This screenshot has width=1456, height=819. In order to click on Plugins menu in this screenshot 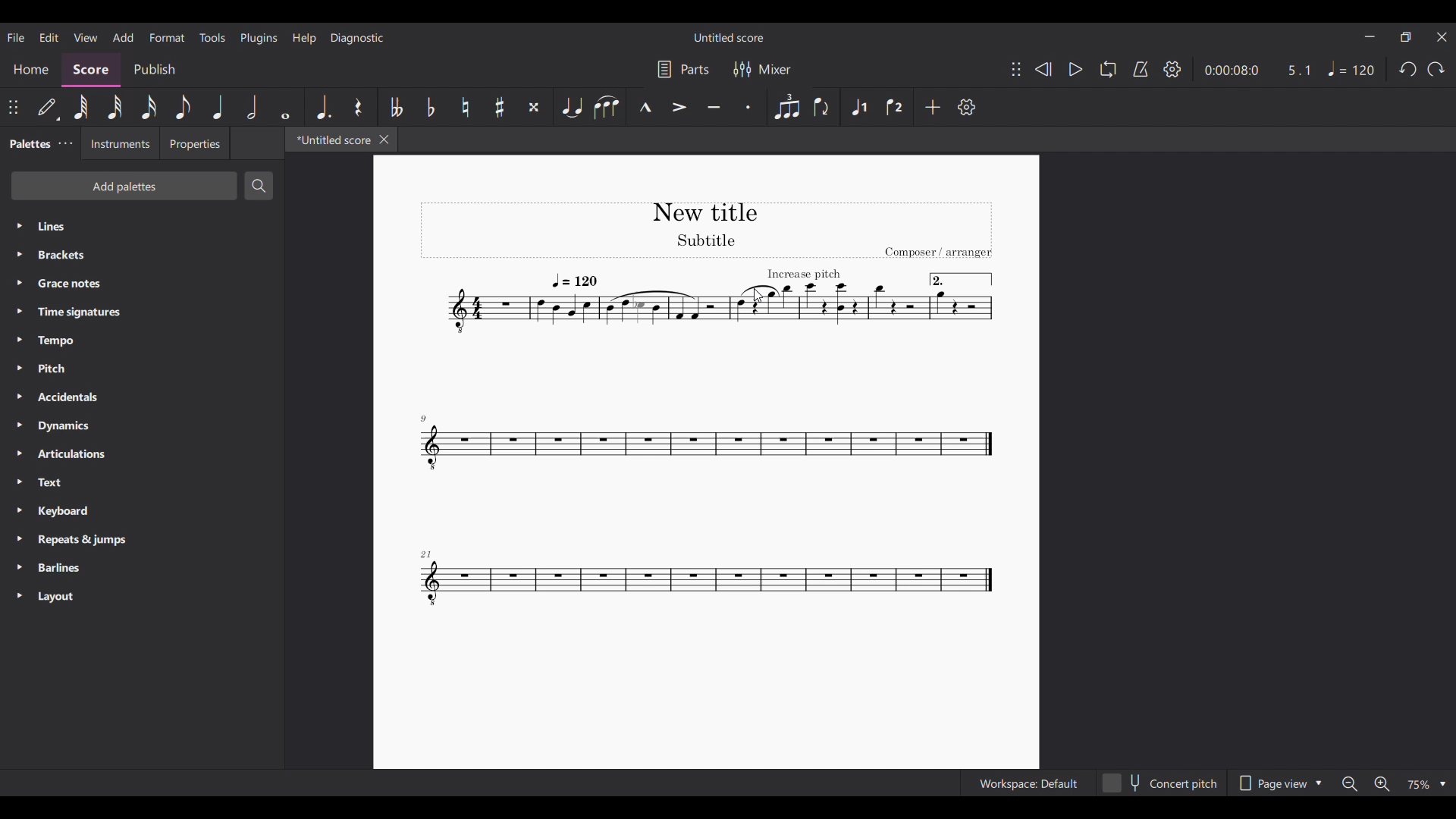, I will do `click(259, 39)`.